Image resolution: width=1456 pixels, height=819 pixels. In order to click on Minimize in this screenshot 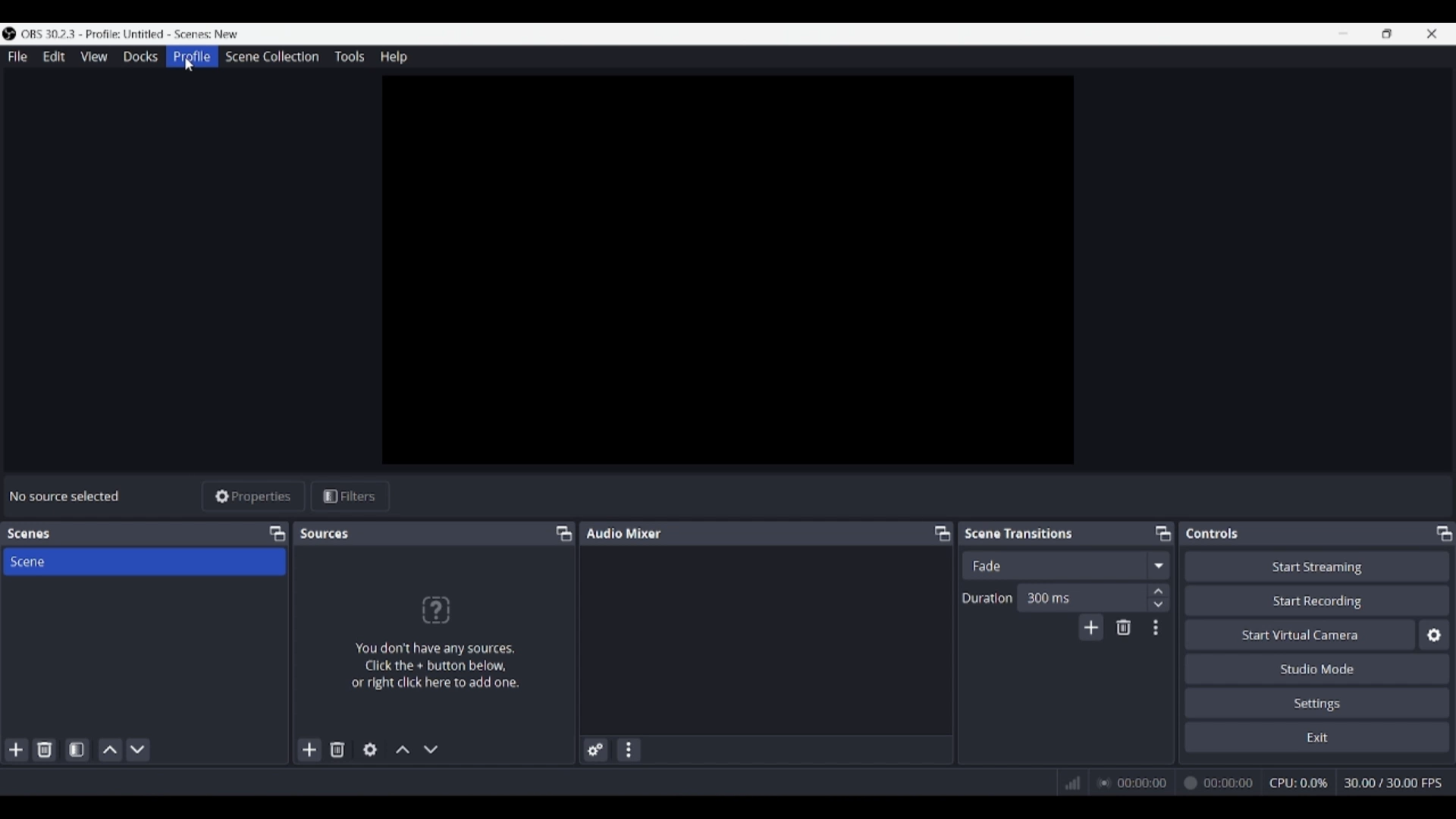, I will do `click(1343, 33)`.